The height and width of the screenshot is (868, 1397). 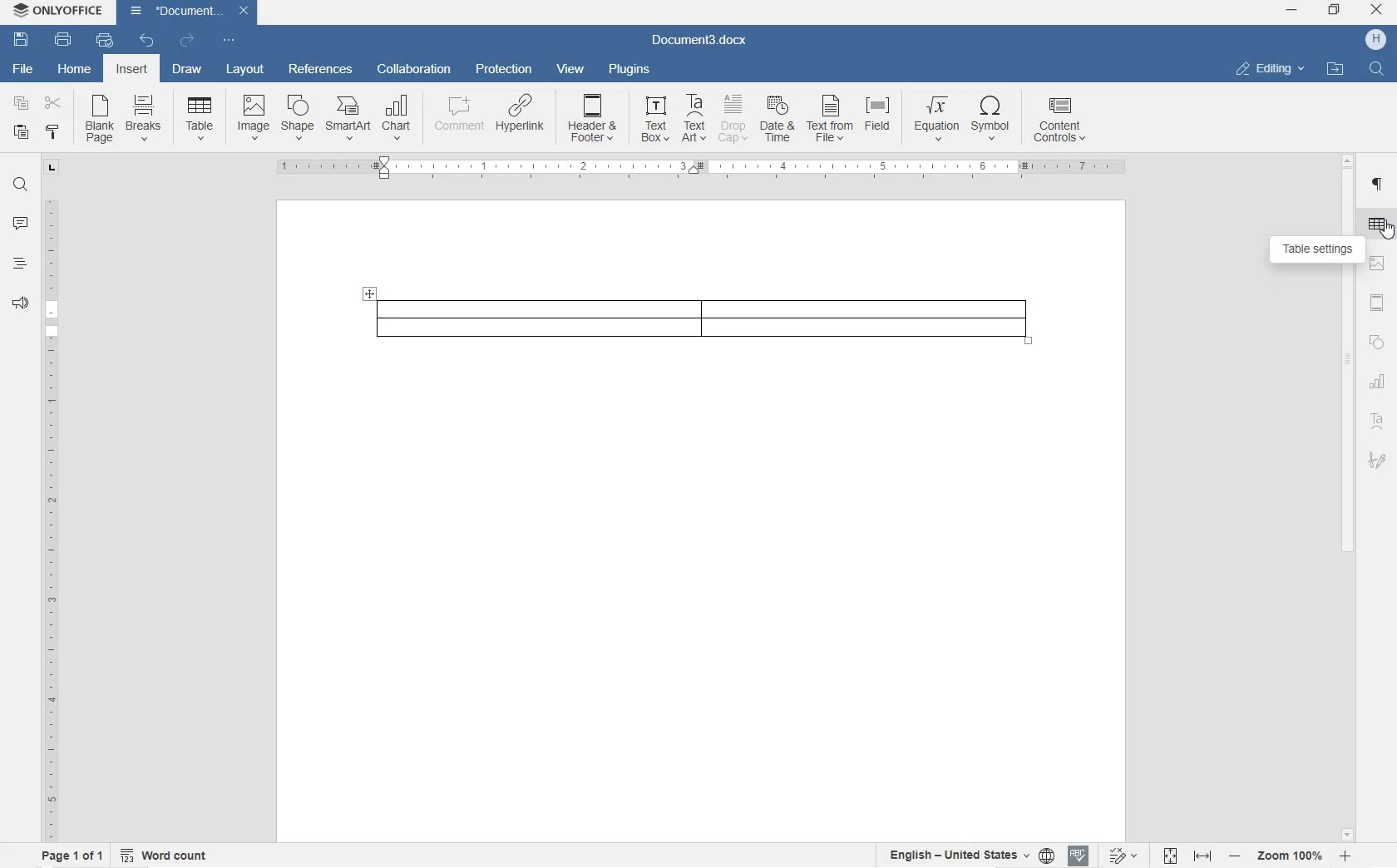 I want to click on Drop Cap, so click(x=733, y=119).